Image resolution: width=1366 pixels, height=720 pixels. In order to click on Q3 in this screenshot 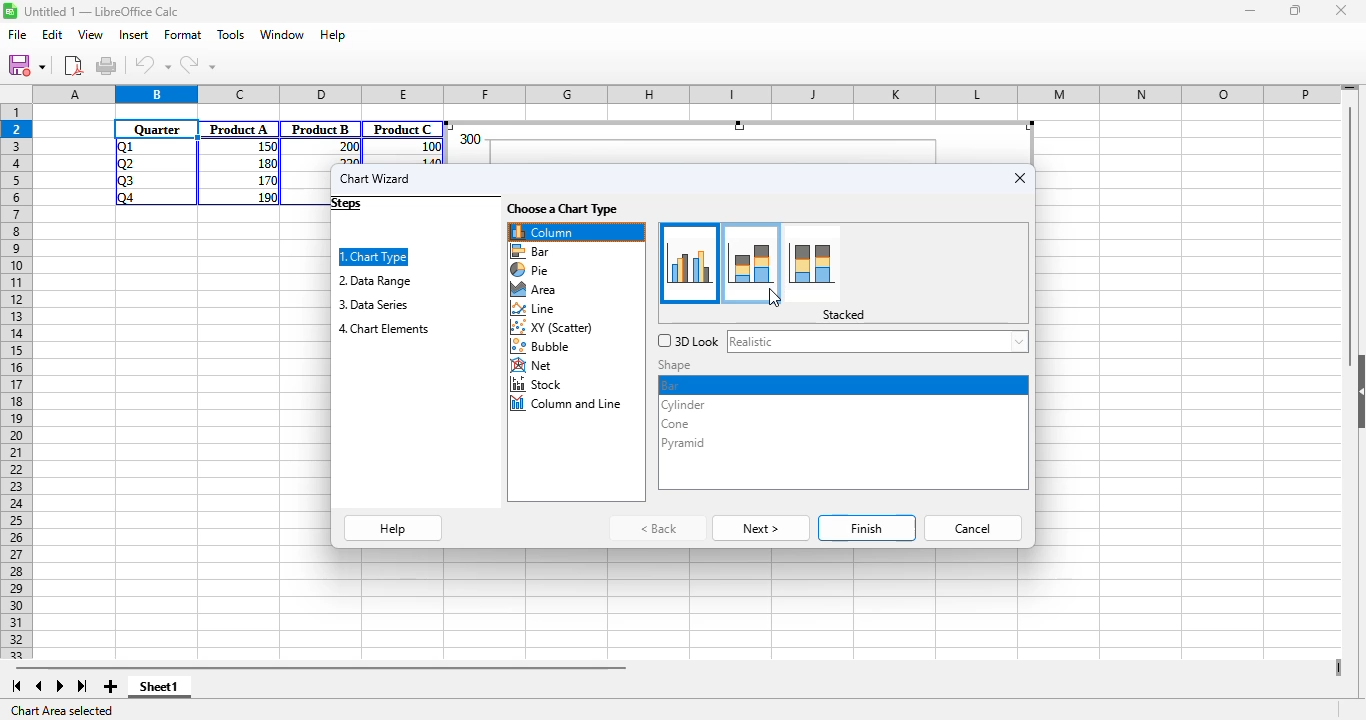, I will do `click(125, 181)`.